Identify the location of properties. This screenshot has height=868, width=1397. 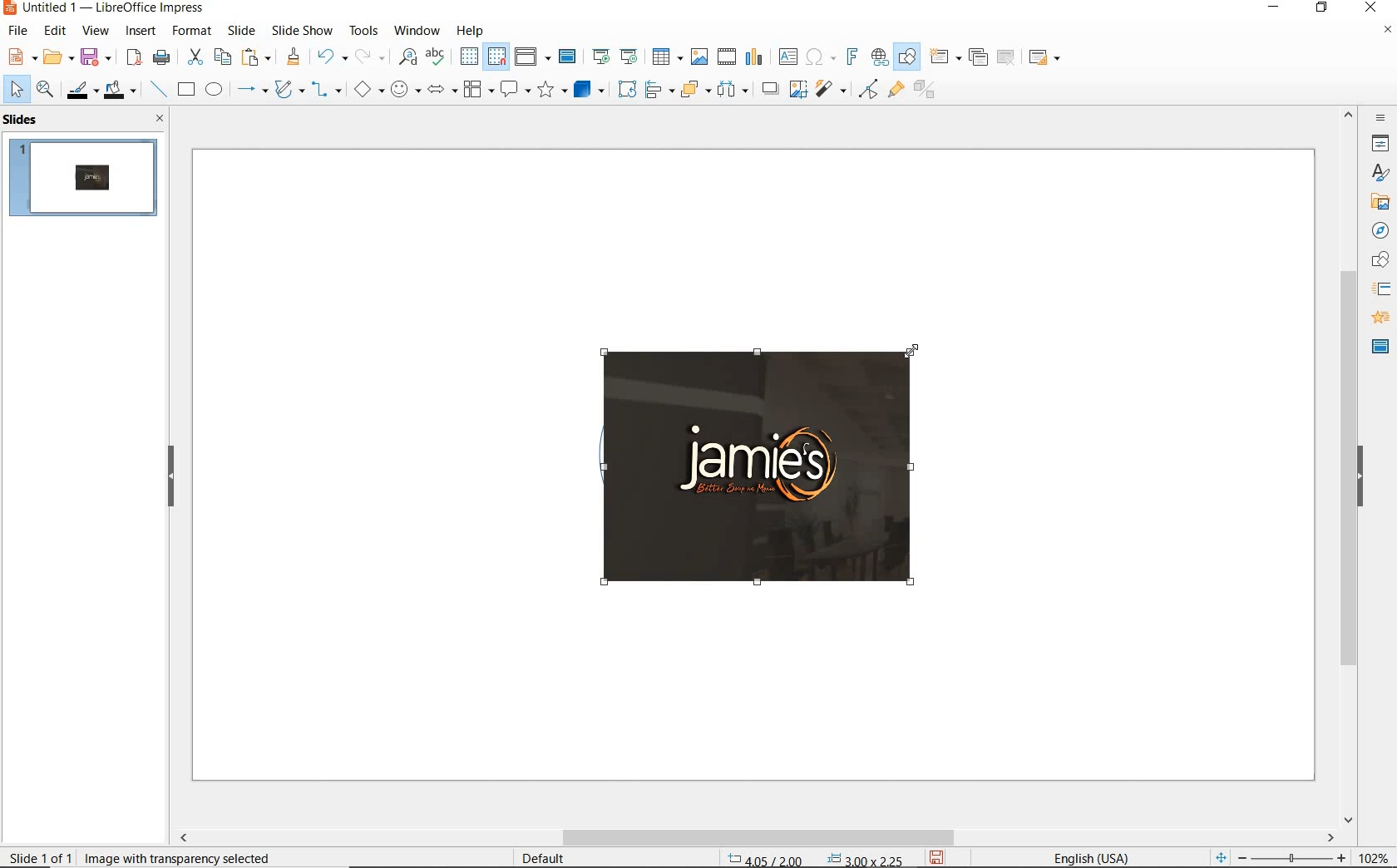
(1379, 143).